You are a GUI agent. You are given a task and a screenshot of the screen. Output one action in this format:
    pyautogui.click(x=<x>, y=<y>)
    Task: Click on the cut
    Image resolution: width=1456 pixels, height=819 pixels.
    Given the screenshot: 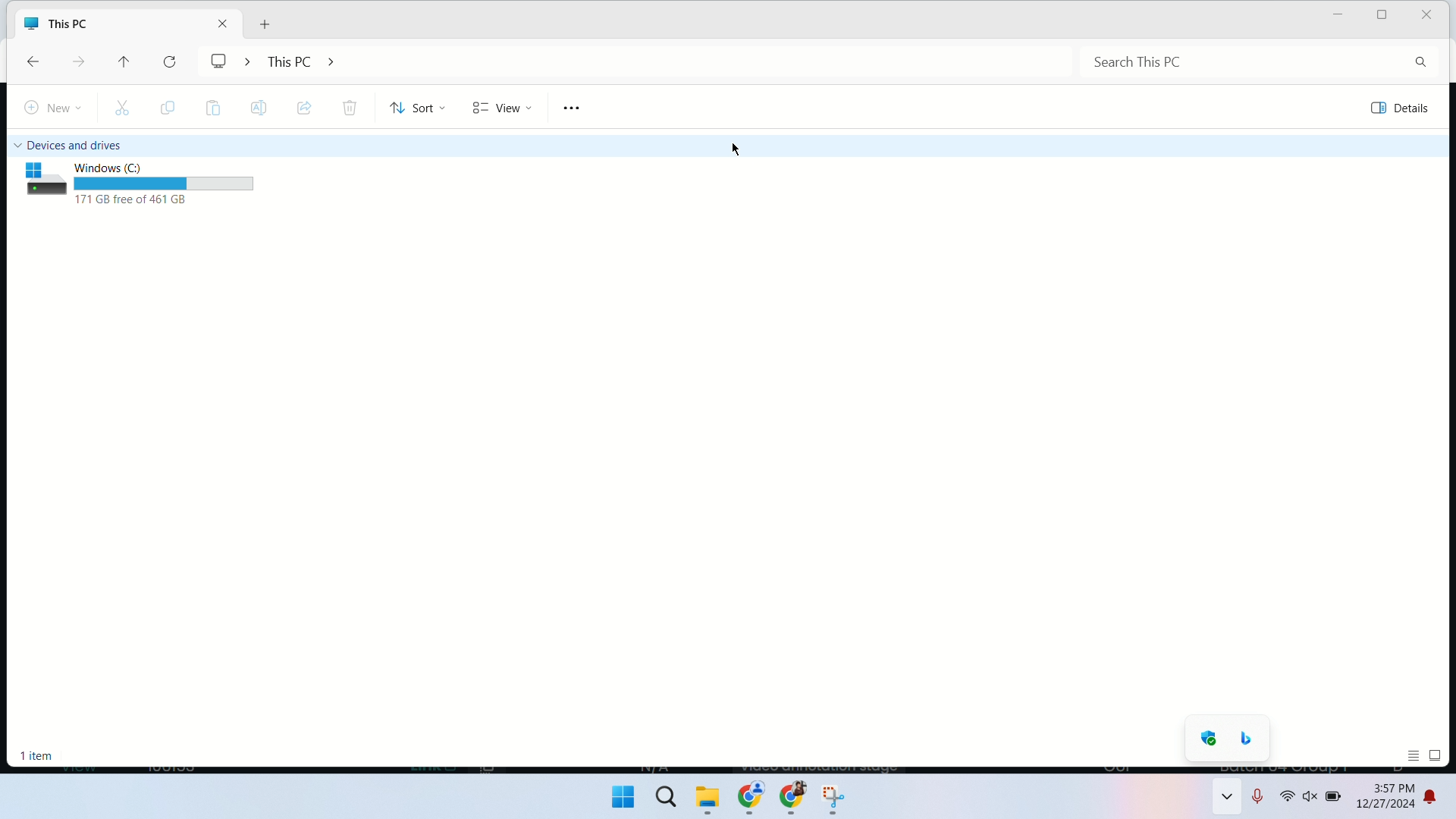 What is the action you would take?
    pyautogui.click(x=126, y=108)
    